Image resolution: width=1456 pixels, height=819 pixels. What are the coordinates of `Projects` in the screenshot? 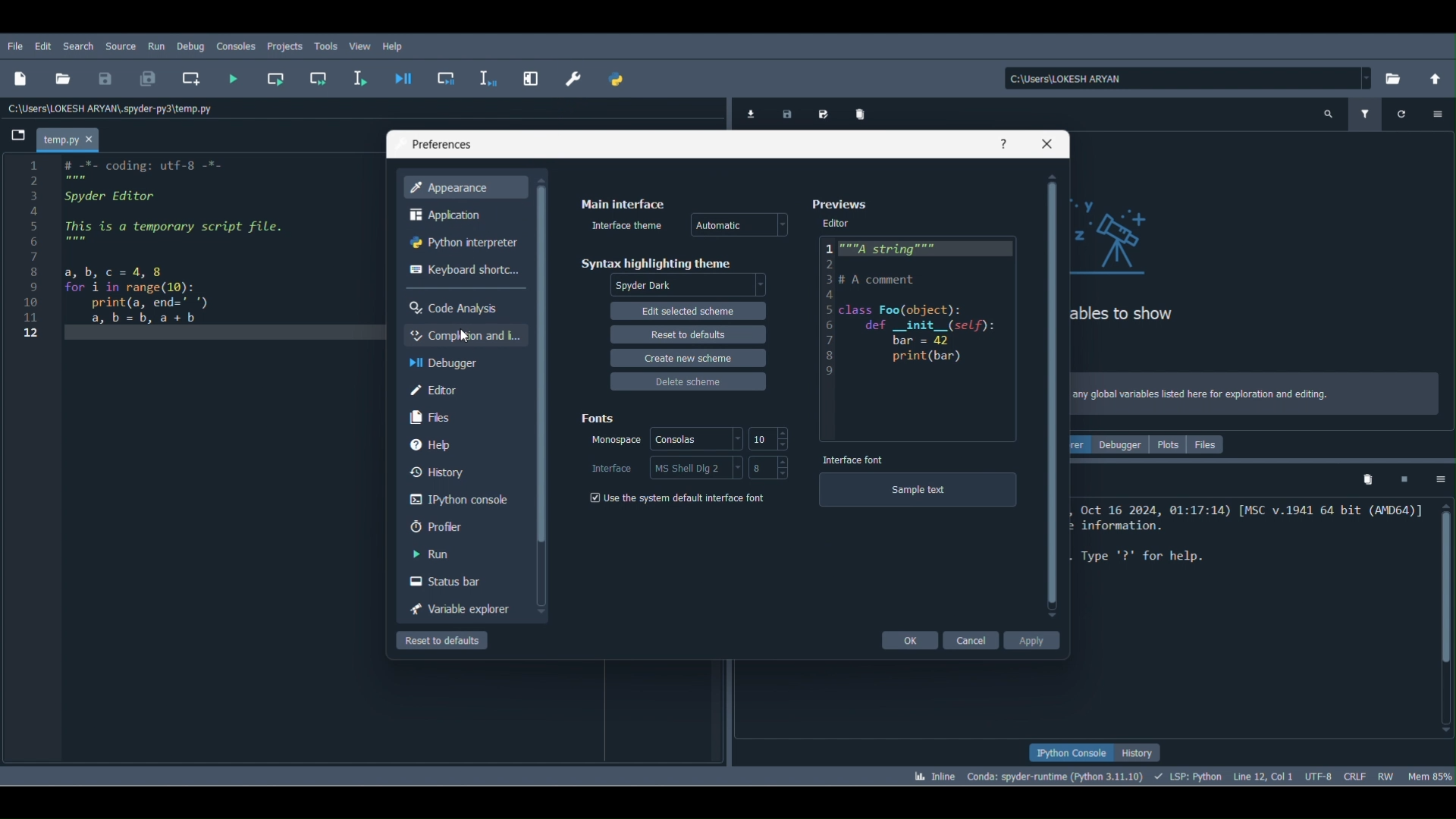 It's located at (285, 47).